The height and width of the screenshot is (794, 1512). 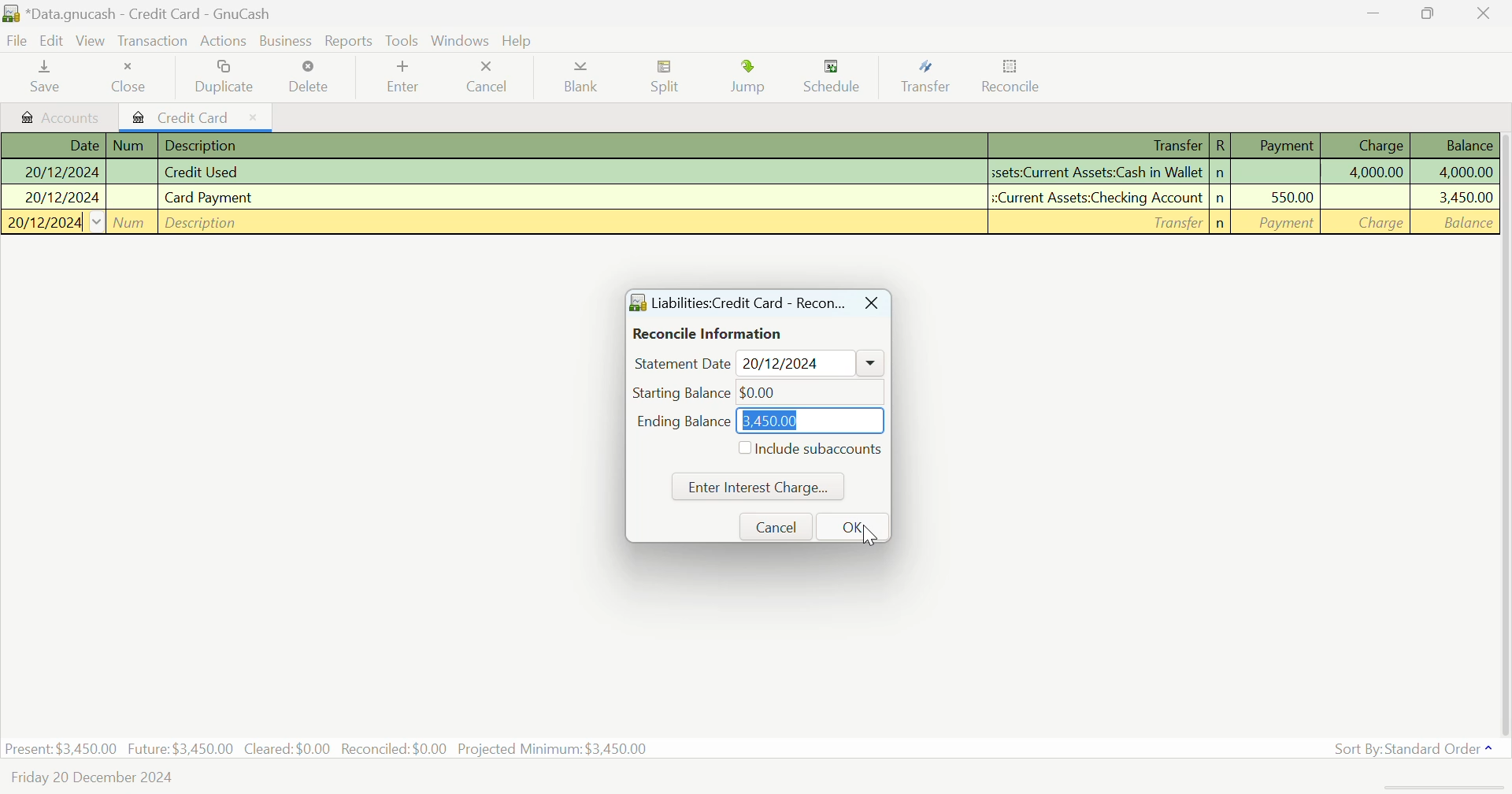 What do you see at coordinates (328, 751) in the screenshot?
I see `Present: $3,450.00 Future: $3,450.00 Cleared:$0.00 Reconciled:$0.00 Projected Minimum: $3,450.00` at bounding box center [328, 751].